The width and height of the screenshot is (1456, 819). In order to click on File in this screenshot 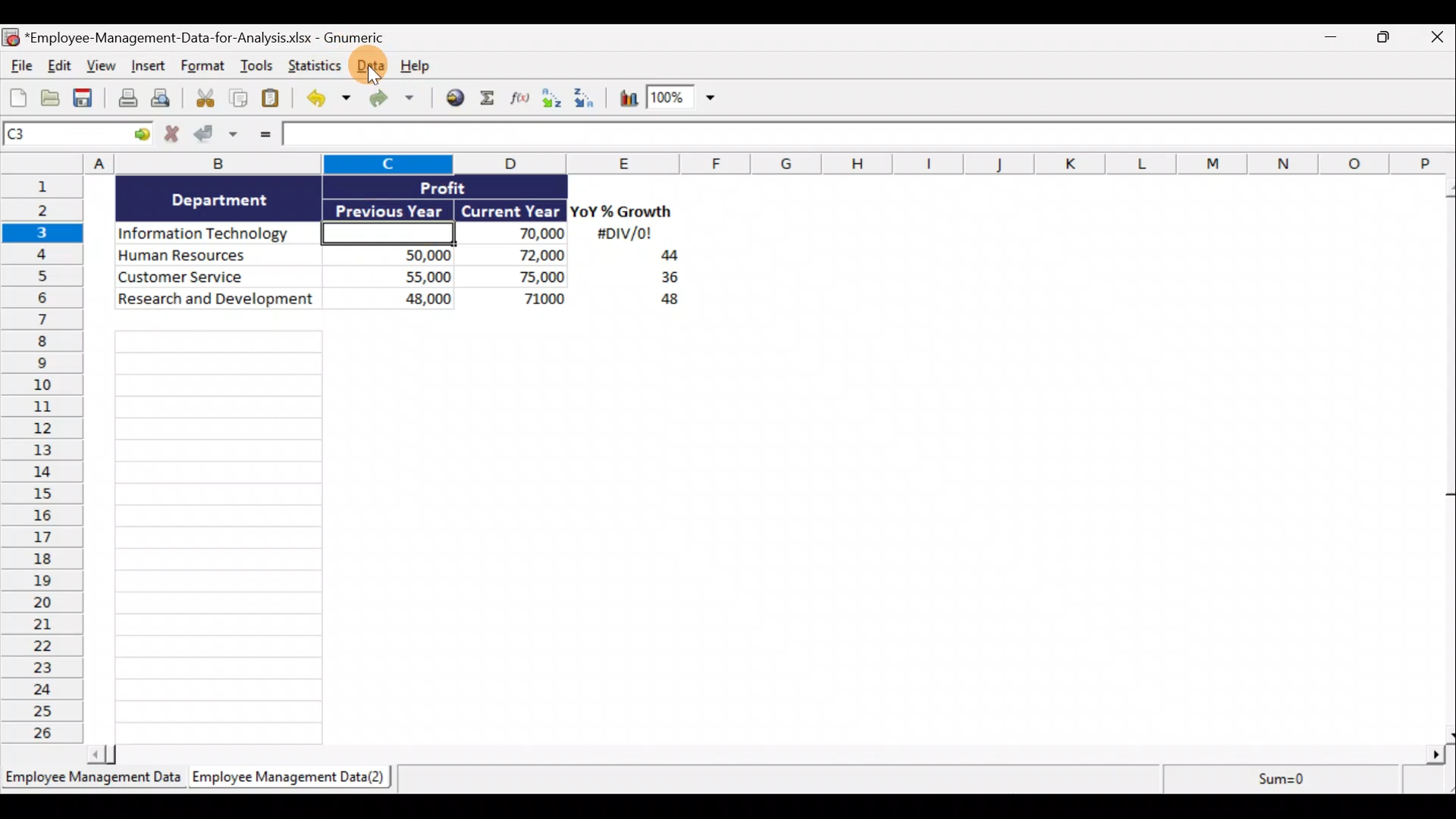, I will do `click(18, 67)`.